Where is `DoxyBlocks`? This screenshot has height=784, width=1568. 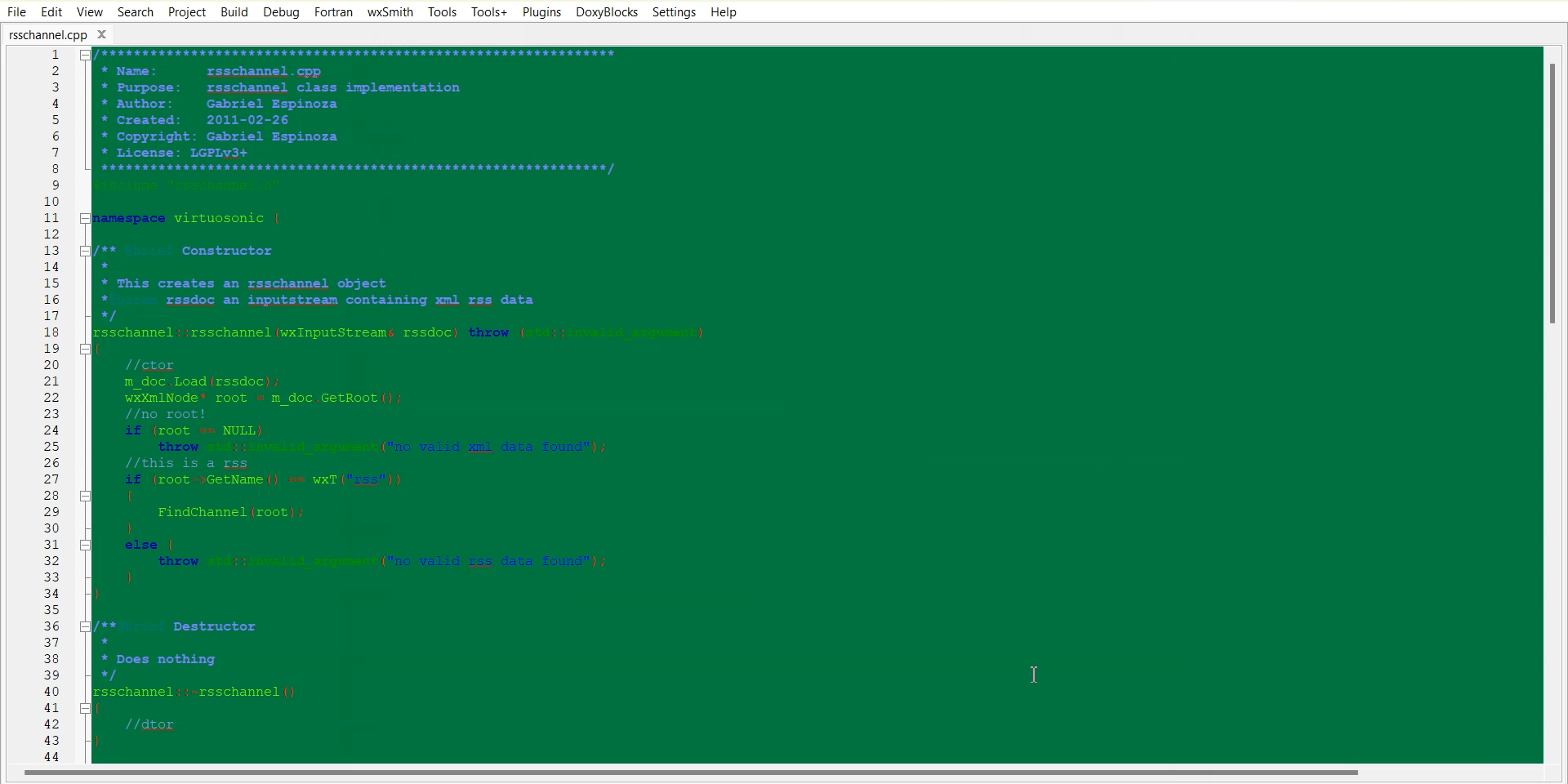
DoxyBlocks is located at coordinates (606, 12).